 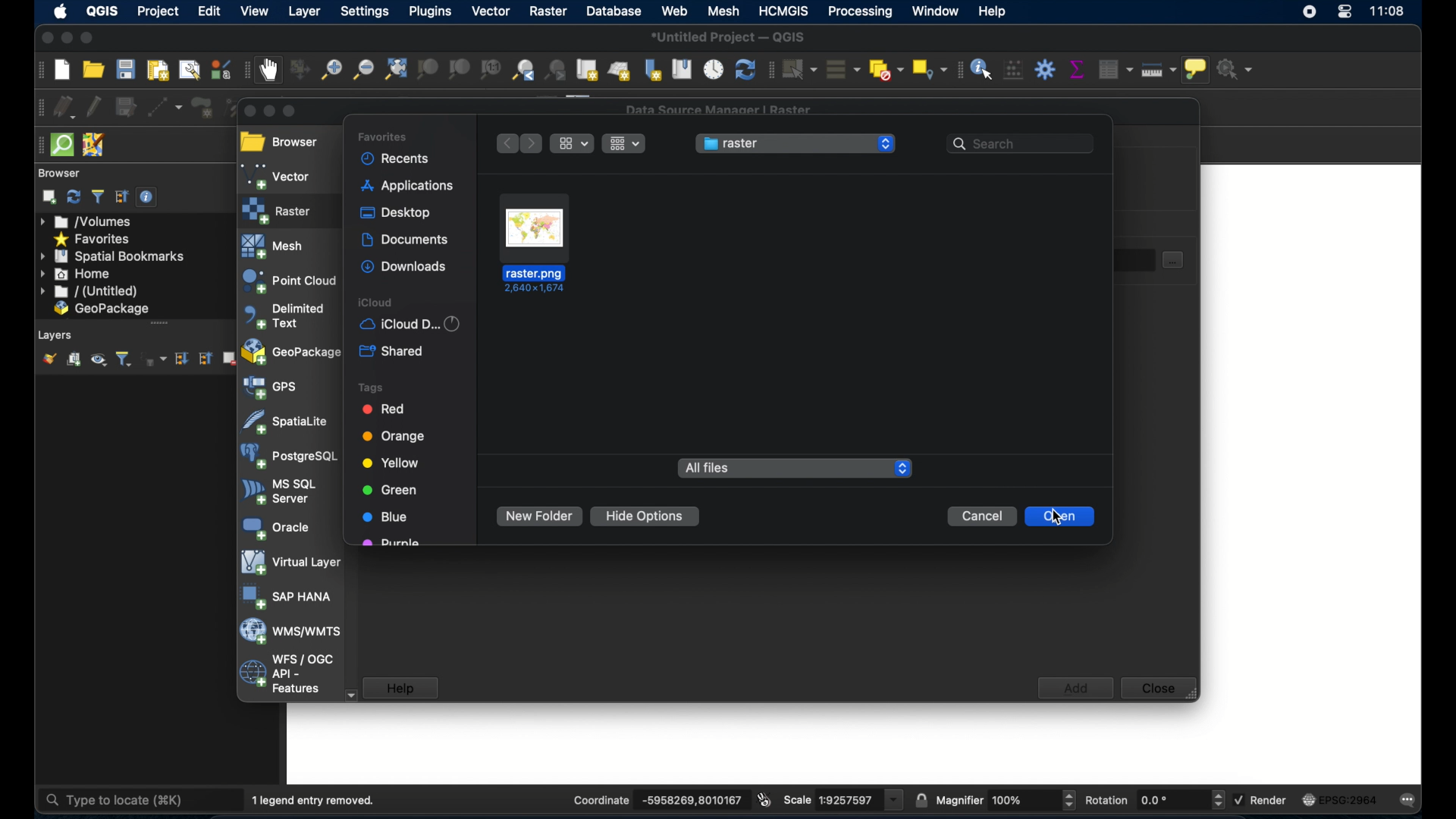 What do you see at coordinates (211, 12) in the screenshot?
I see `edit` at bounding box center [211, 12].